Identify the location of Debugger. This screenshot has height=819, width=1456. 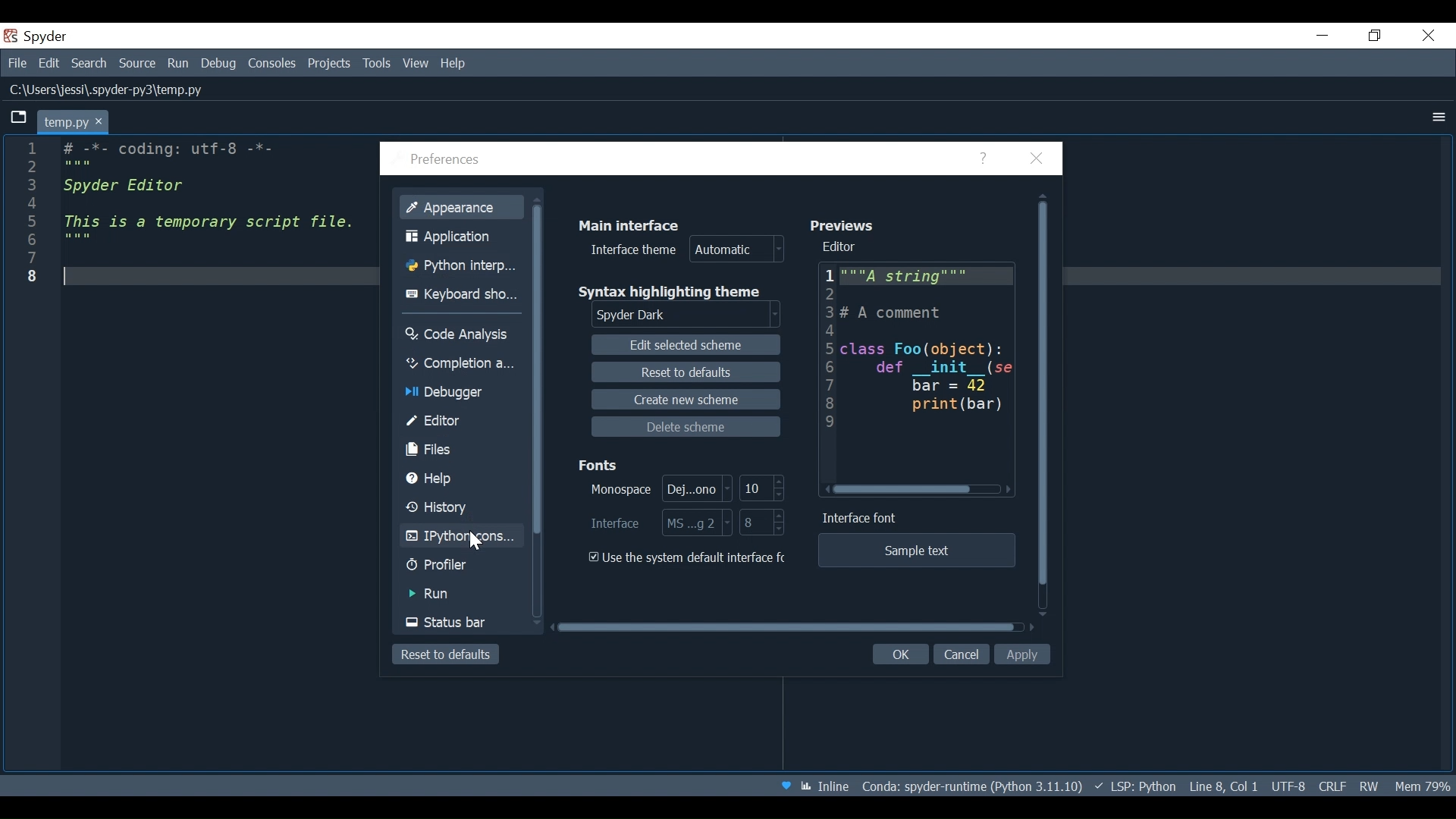
(449, 394).